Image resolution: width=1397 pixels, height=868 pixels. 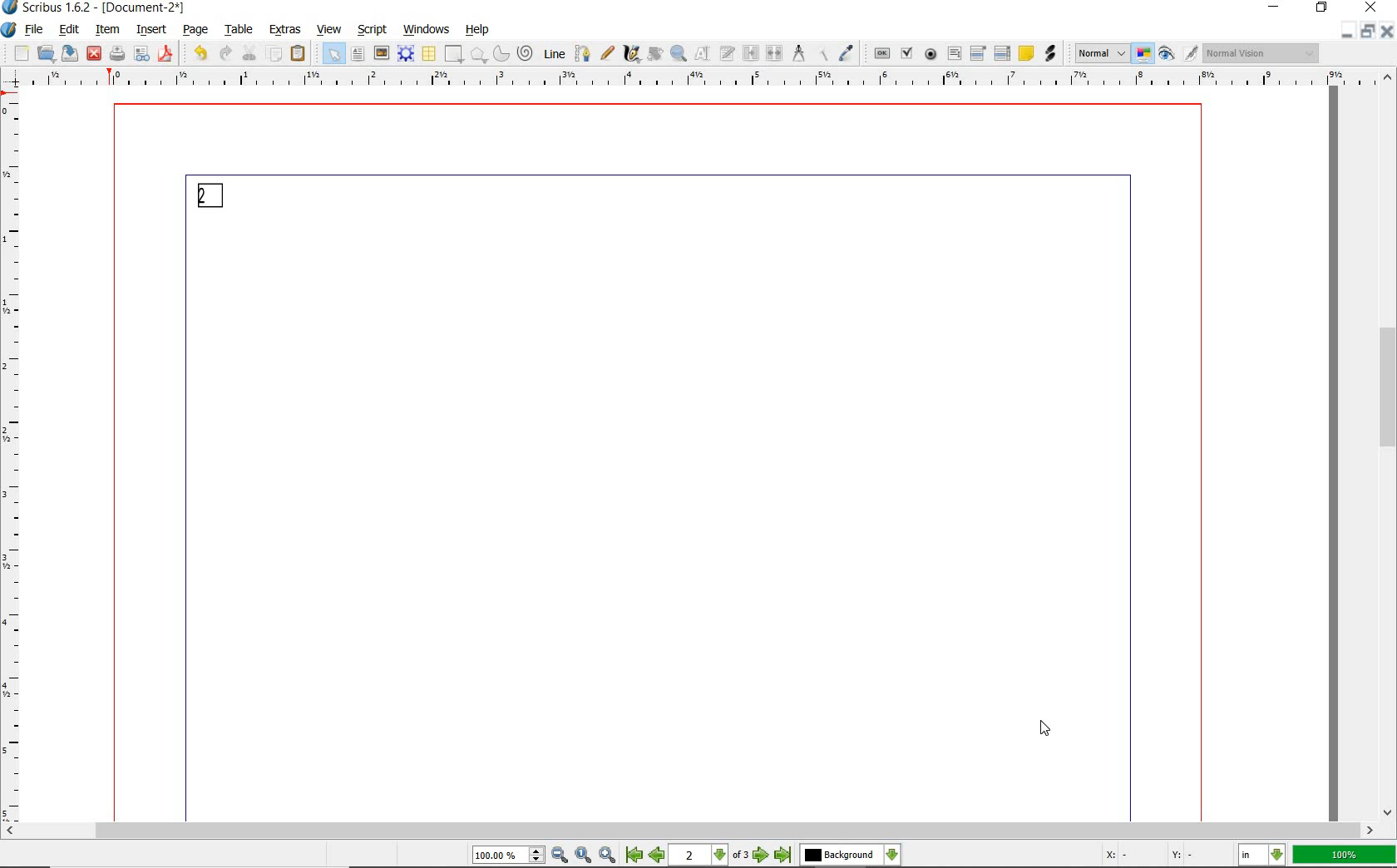 What do you see at coordinates (506, 857) in the screenshot?
I see `Zoom 100.00%` at bounding box center [506, 857].